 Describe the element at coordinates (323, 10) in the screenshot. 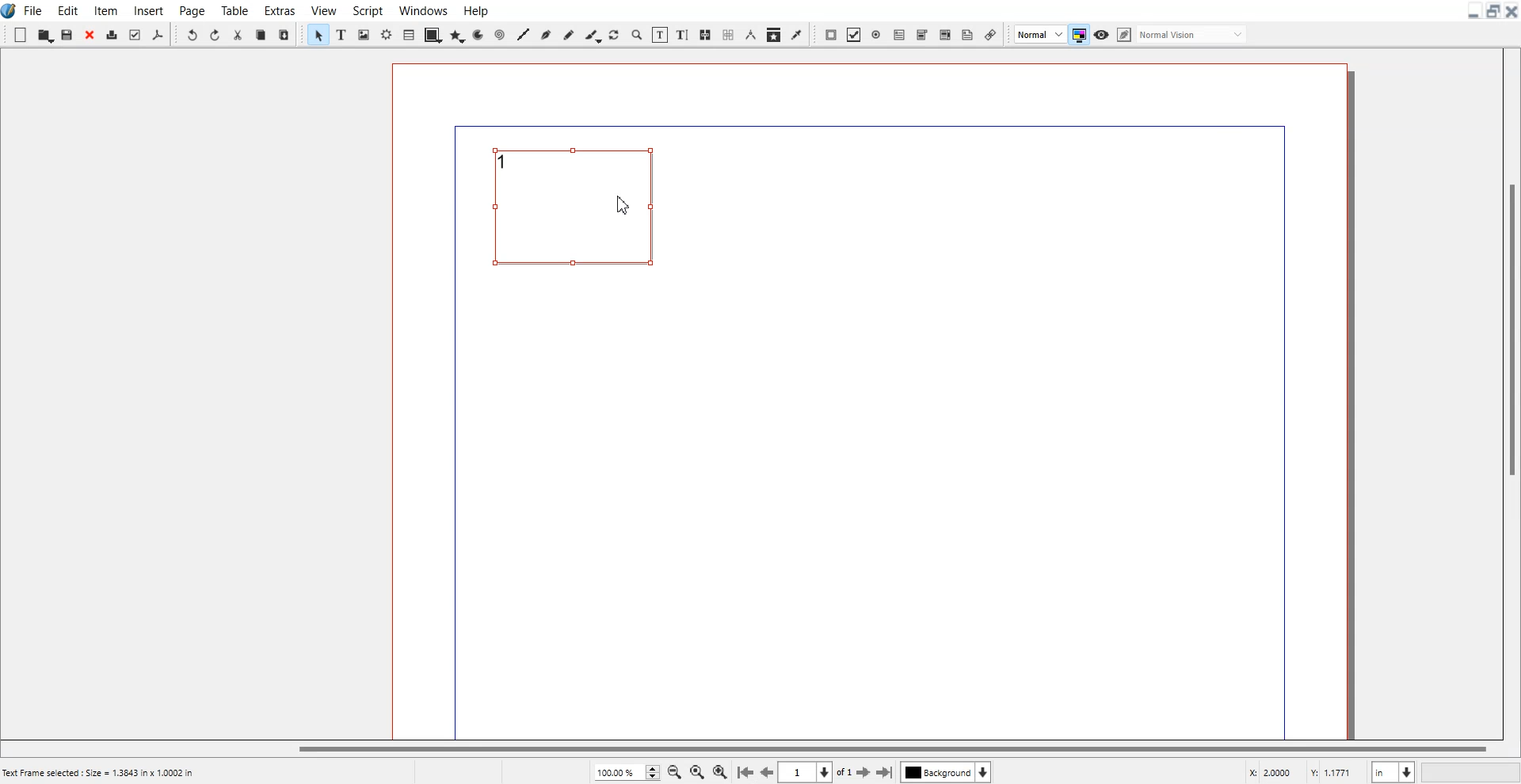

I see `View` at that location.